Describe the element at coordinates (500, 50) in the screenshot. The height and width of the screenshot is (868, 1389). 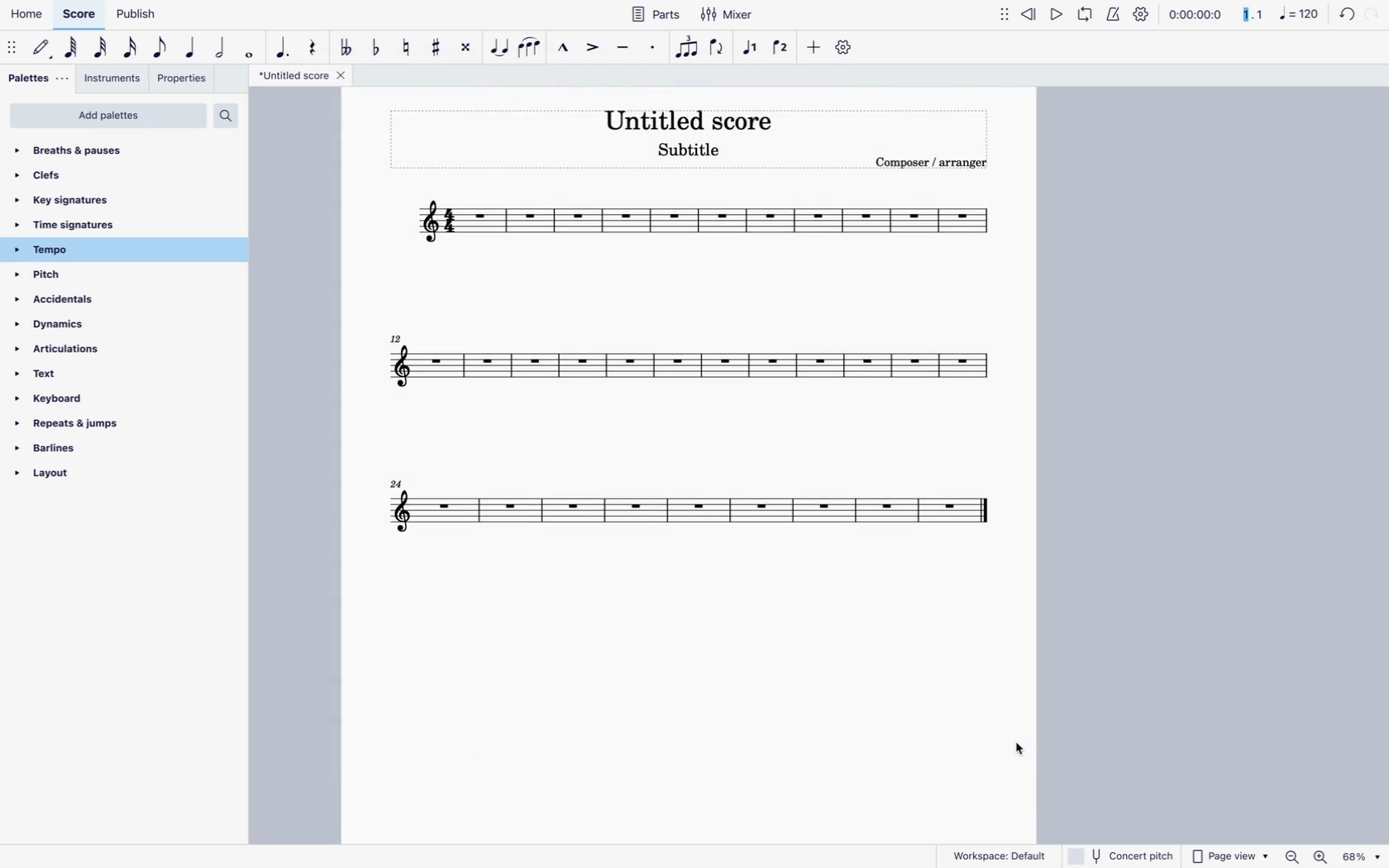
I see `tie` at that location.